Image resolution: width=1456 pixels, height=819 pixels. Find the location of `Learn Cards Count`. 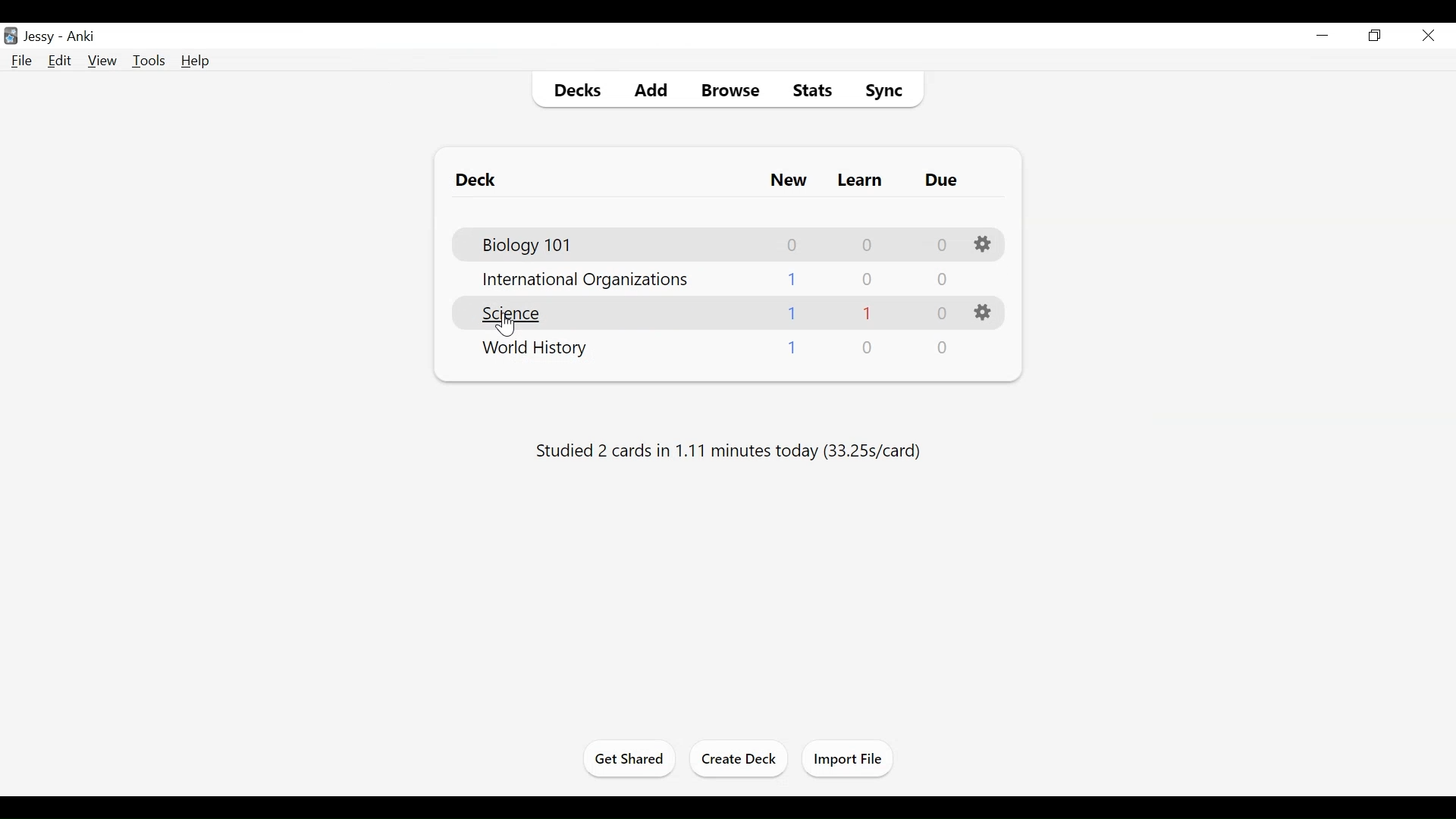

Learn Cards Count is located at coordinates (868, 349).